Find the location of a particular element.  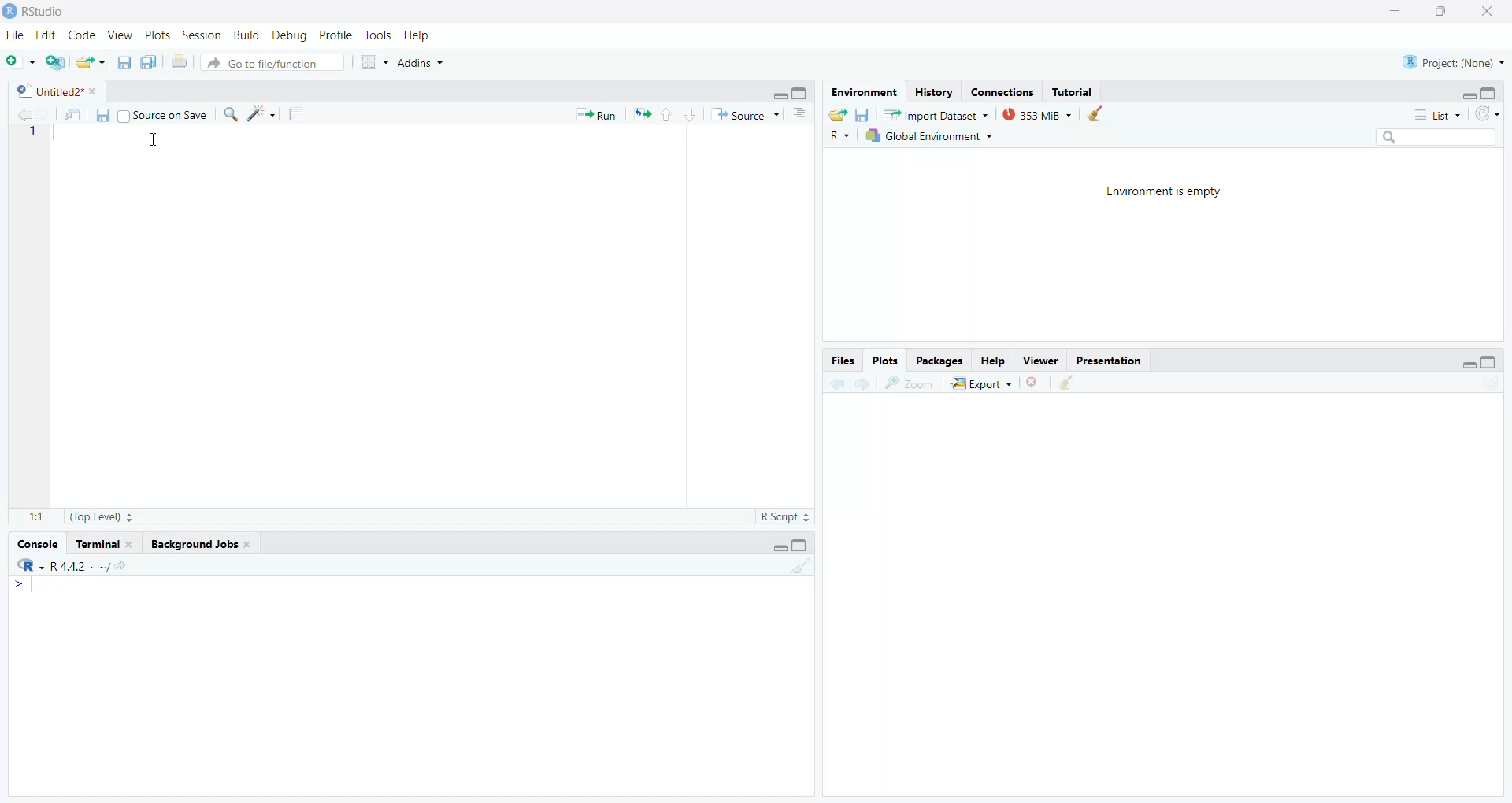

list is located at coordinates (1435, 113).